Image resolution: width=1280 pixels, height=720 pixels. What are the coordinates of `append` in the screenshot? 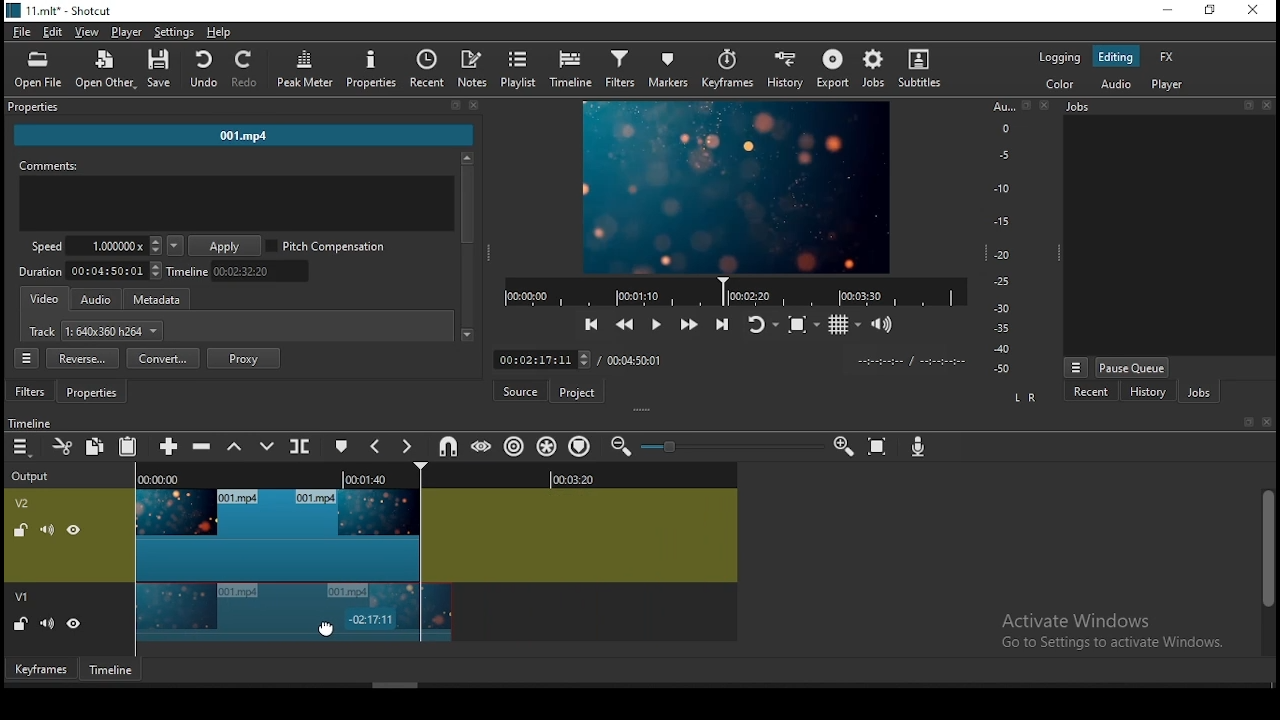 It's located at (171, 448).